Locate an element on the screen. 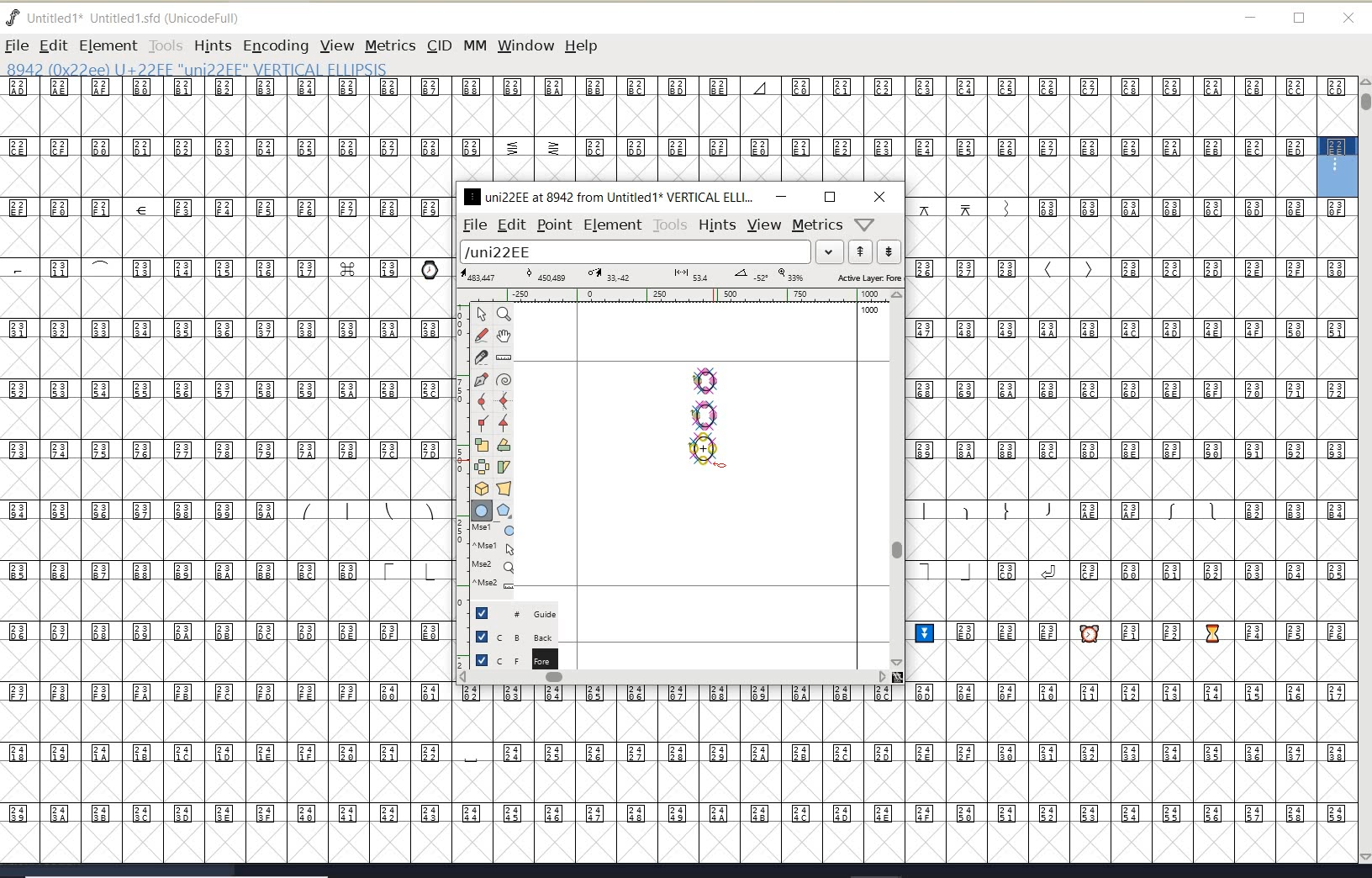  background is located at coordinates (517, 636).